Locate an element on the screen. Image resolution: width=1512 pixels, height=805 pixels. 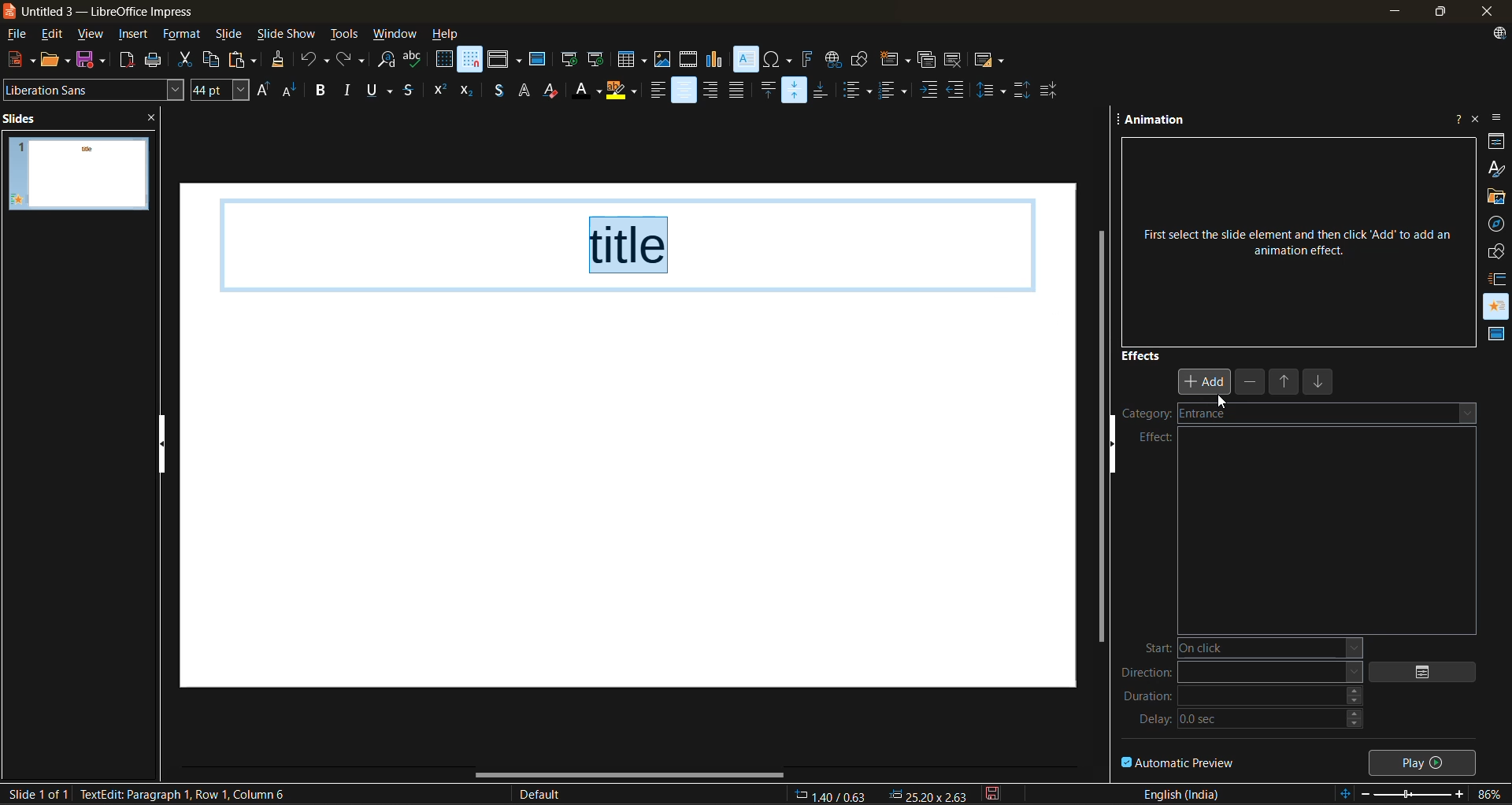
maximize is located at coordinates (1437, 14).